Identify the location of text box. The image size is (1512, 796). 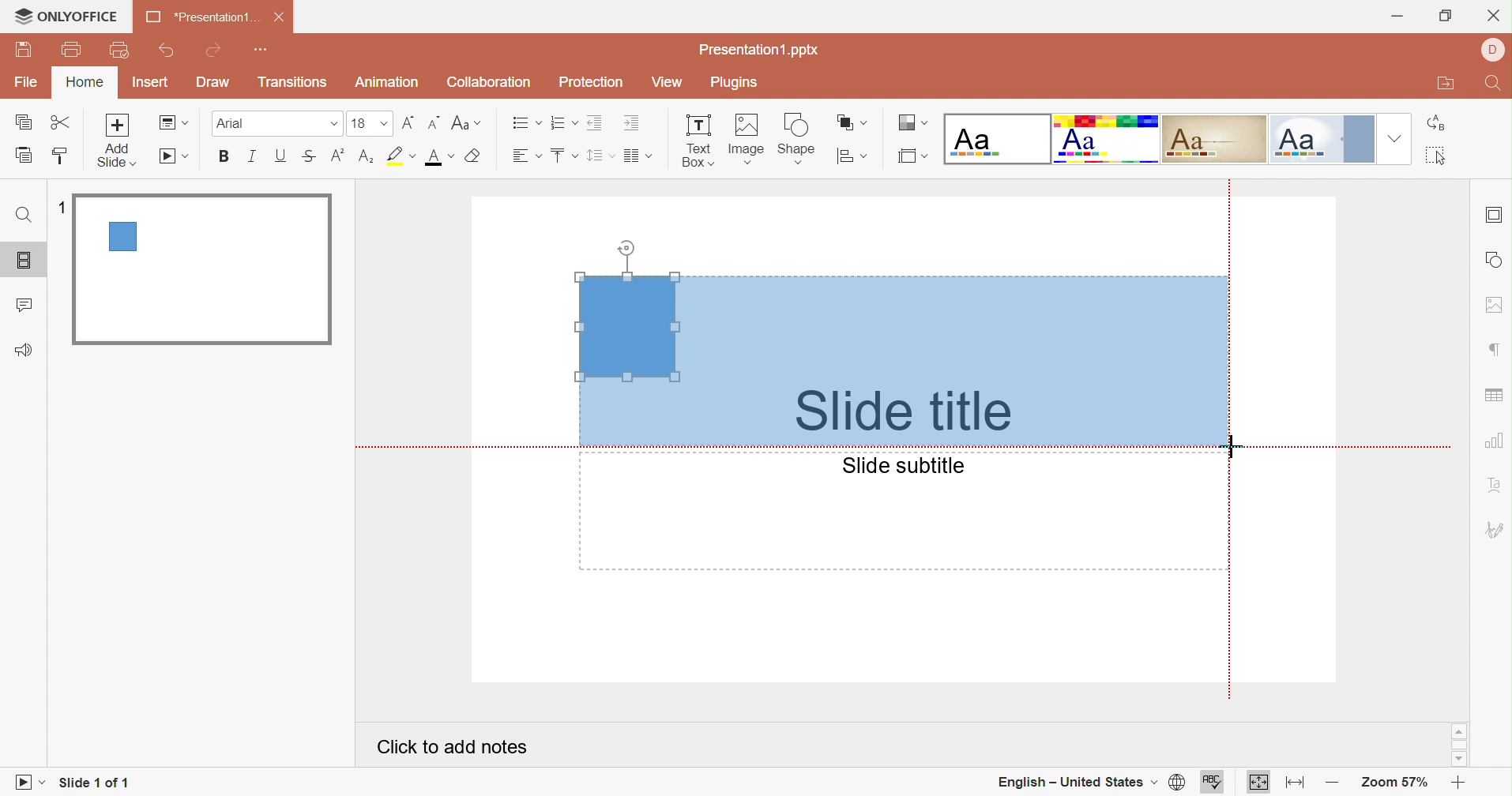
(627, 326).